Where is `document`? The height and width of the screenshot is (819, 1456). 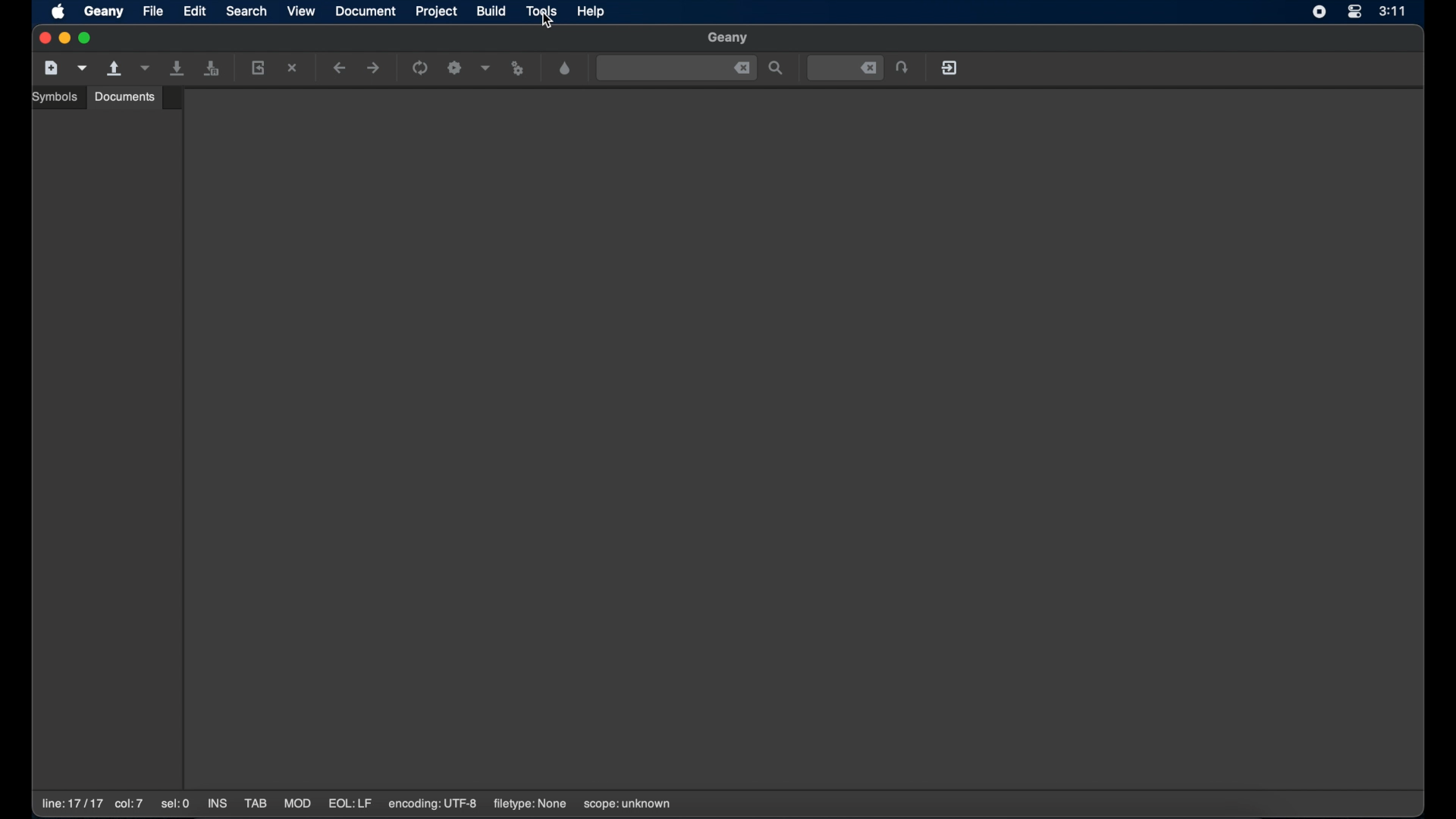
document is located at coordinates (366, 11).